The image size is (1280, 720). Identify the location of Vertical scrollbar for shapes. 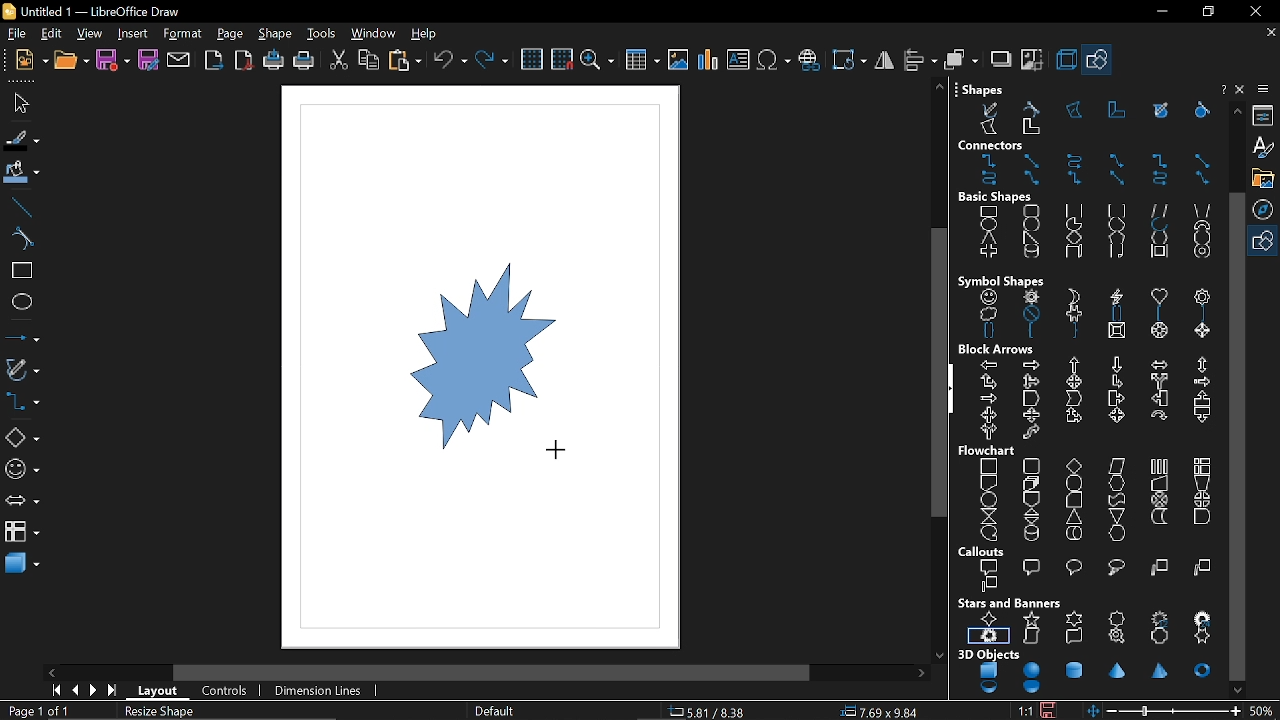
(1239, 436).